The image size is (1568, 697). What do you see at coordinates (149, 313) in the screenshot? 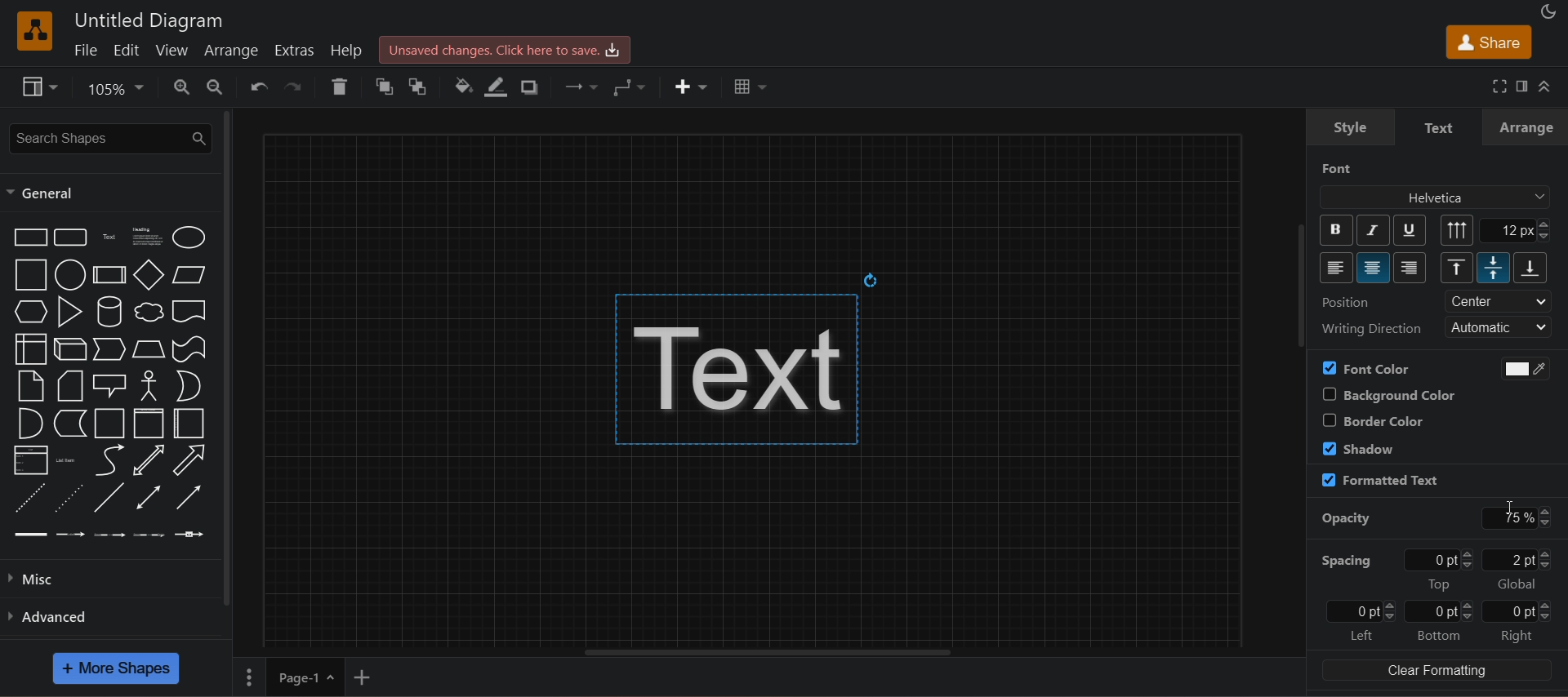
I see `cloud` at bounding box center [149, 313].